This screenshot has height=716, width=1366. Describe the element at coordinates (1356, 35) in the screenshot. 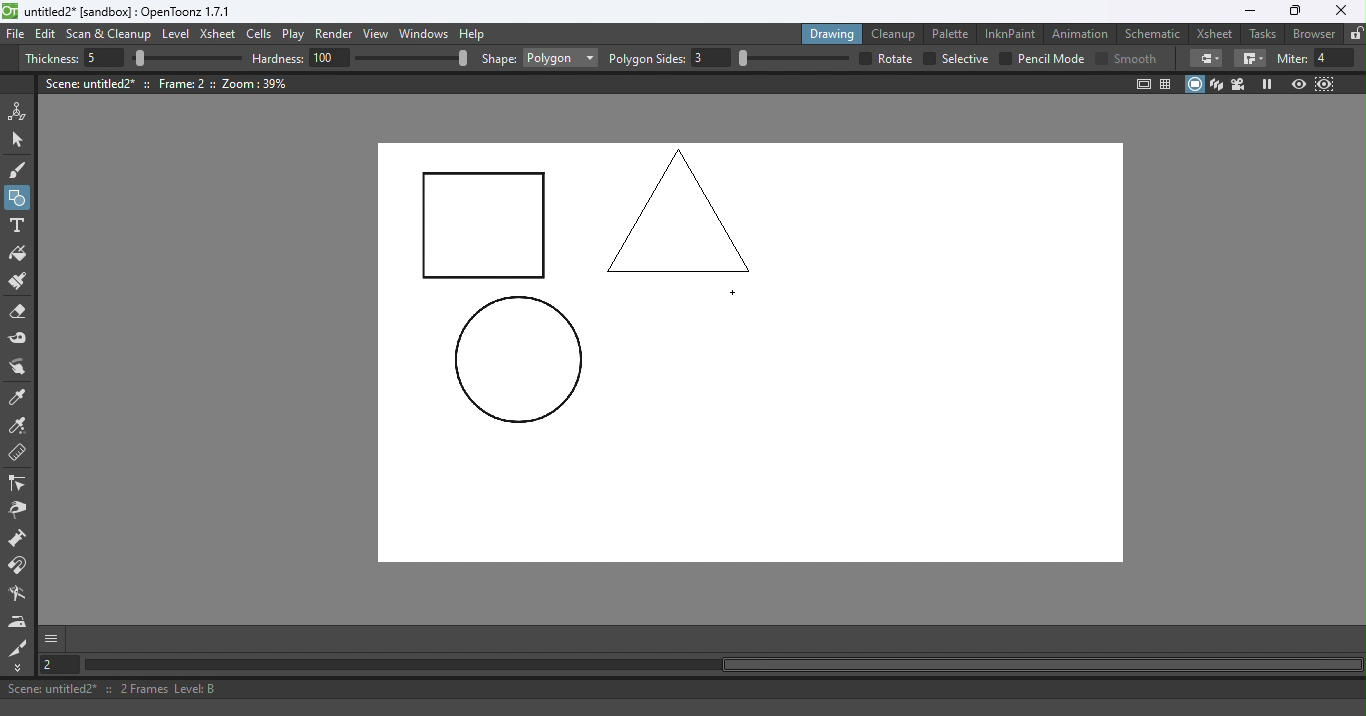

I see `Lock rooms tab` at that location.